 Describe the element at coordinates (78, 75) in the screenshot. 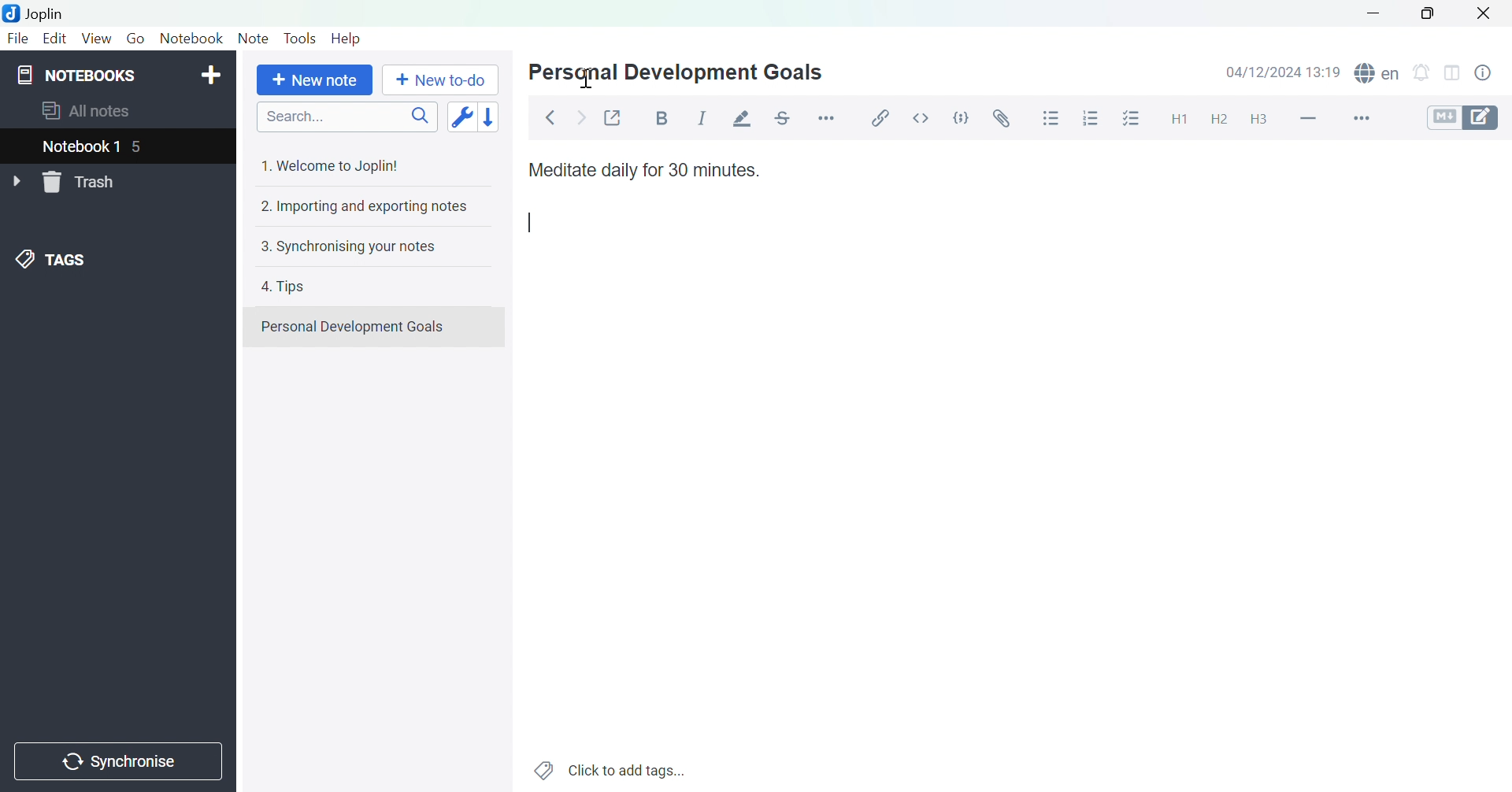

I see `NOTEBOOKS` at that location.